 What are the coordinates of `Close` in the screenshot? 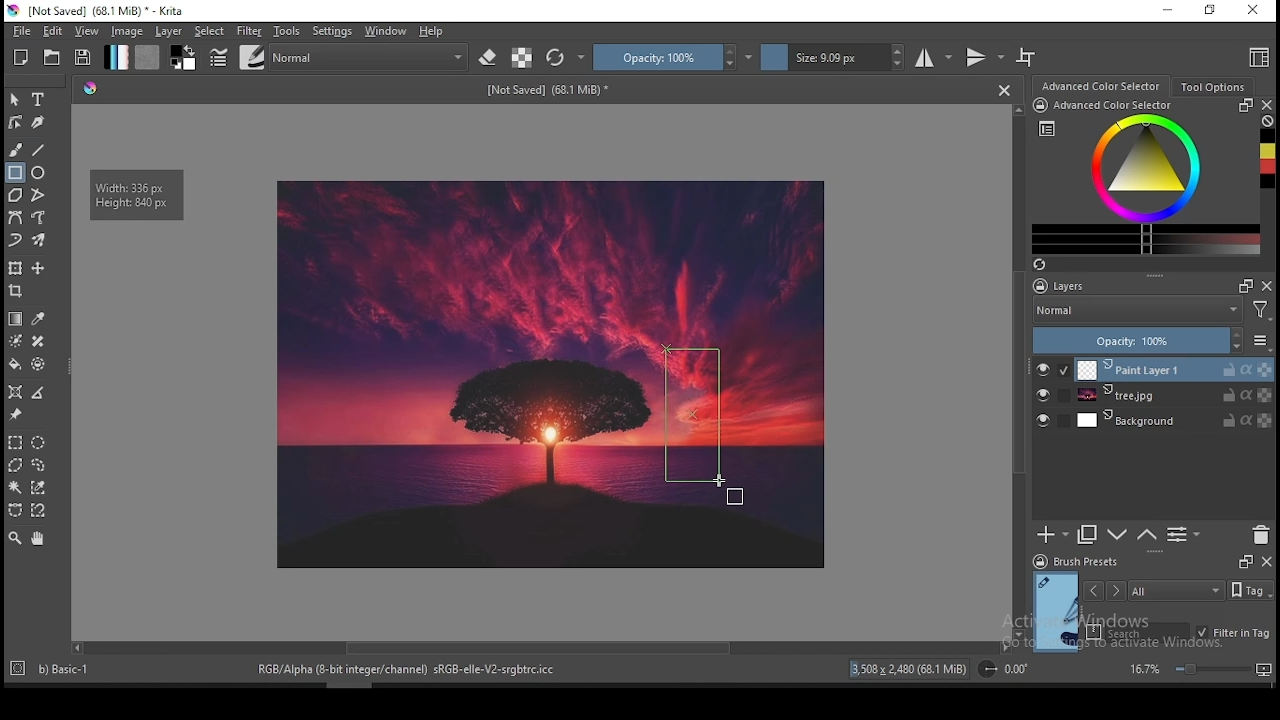 It's located at (1004, 90).